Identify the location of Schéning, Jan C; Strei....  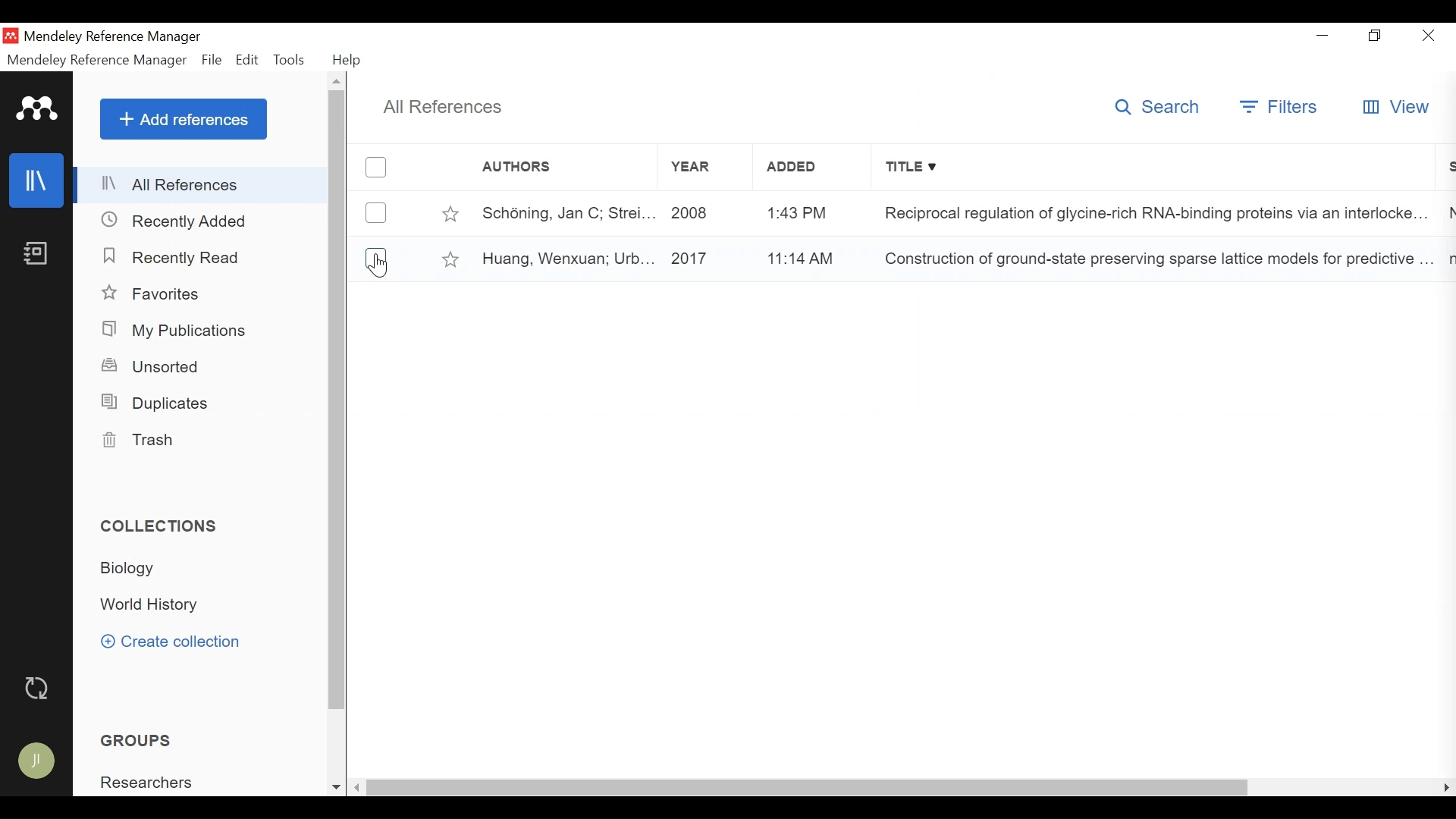
(565, 212).